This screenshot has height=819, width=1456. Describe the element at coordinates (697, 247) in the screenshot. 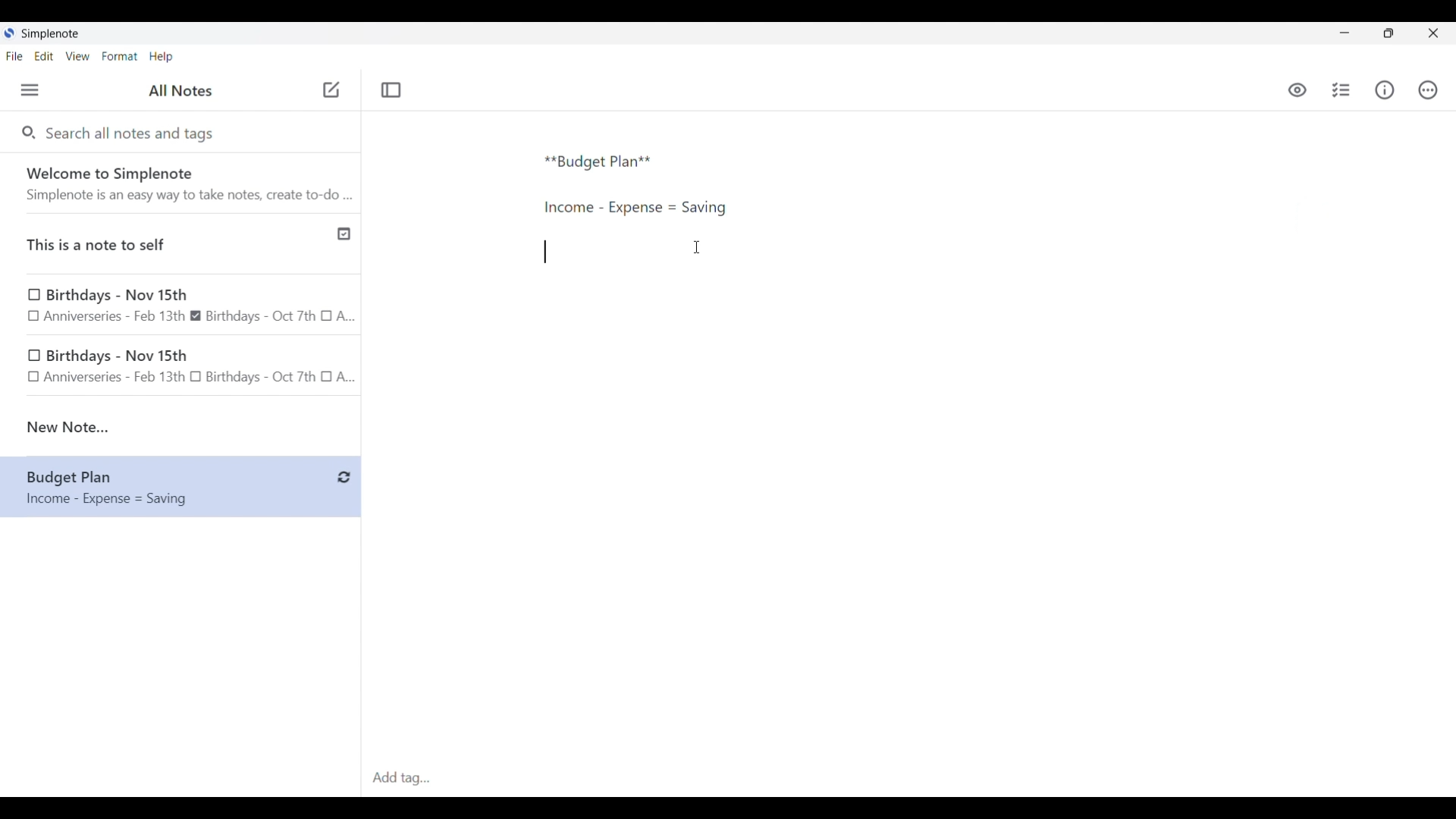

I see `Cursor` at that location.